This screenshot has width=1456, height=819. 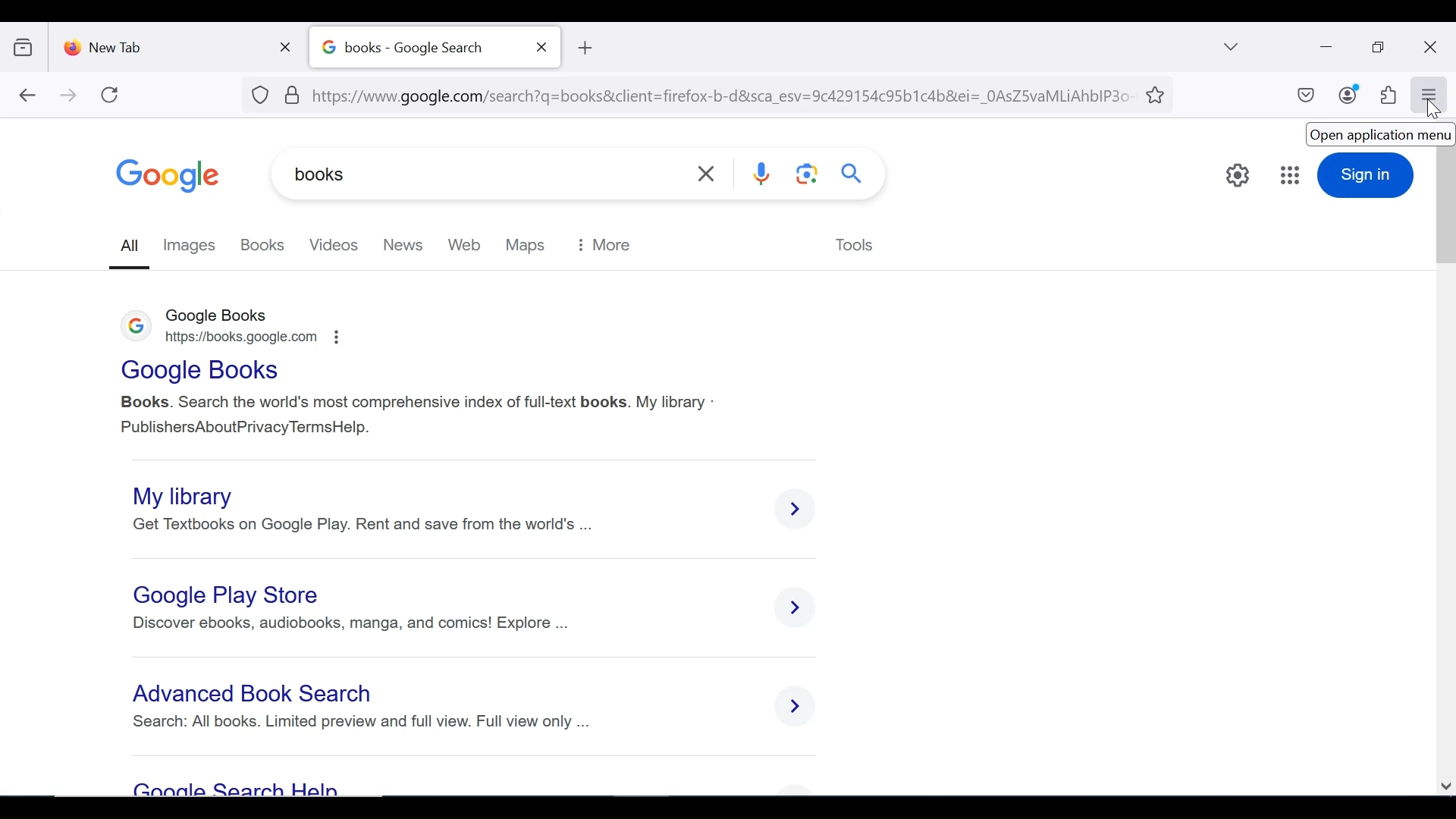 I want to click on Books. Search the world's most comprehensive index of full-text books. My library -
PublishersAboutPrivacy TermsHelp., so click(x=417, y=416).